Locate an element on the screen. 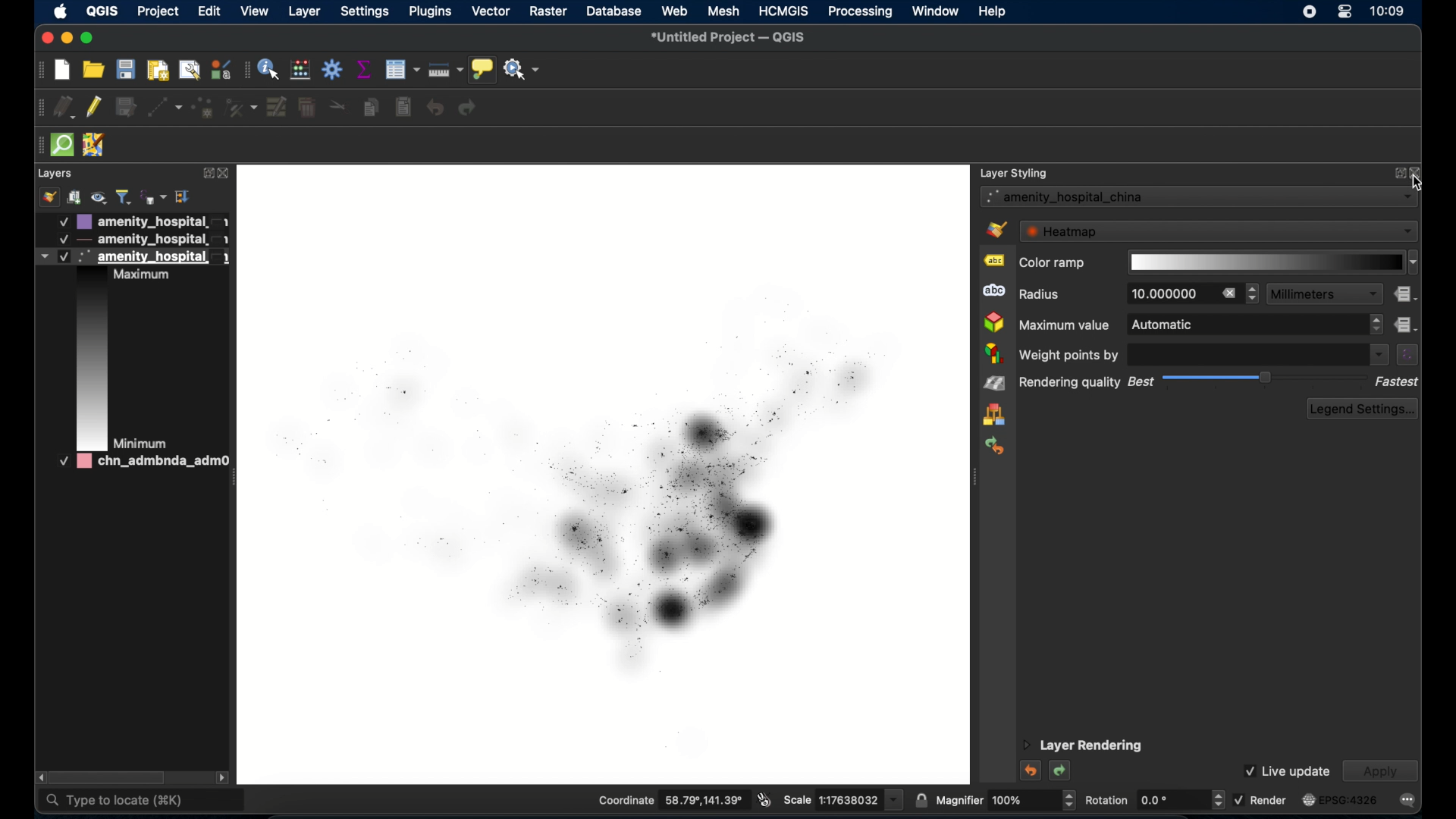 The height and width of the screenshot is (819, 1456). type to locate is located at coordinates (143, 800).